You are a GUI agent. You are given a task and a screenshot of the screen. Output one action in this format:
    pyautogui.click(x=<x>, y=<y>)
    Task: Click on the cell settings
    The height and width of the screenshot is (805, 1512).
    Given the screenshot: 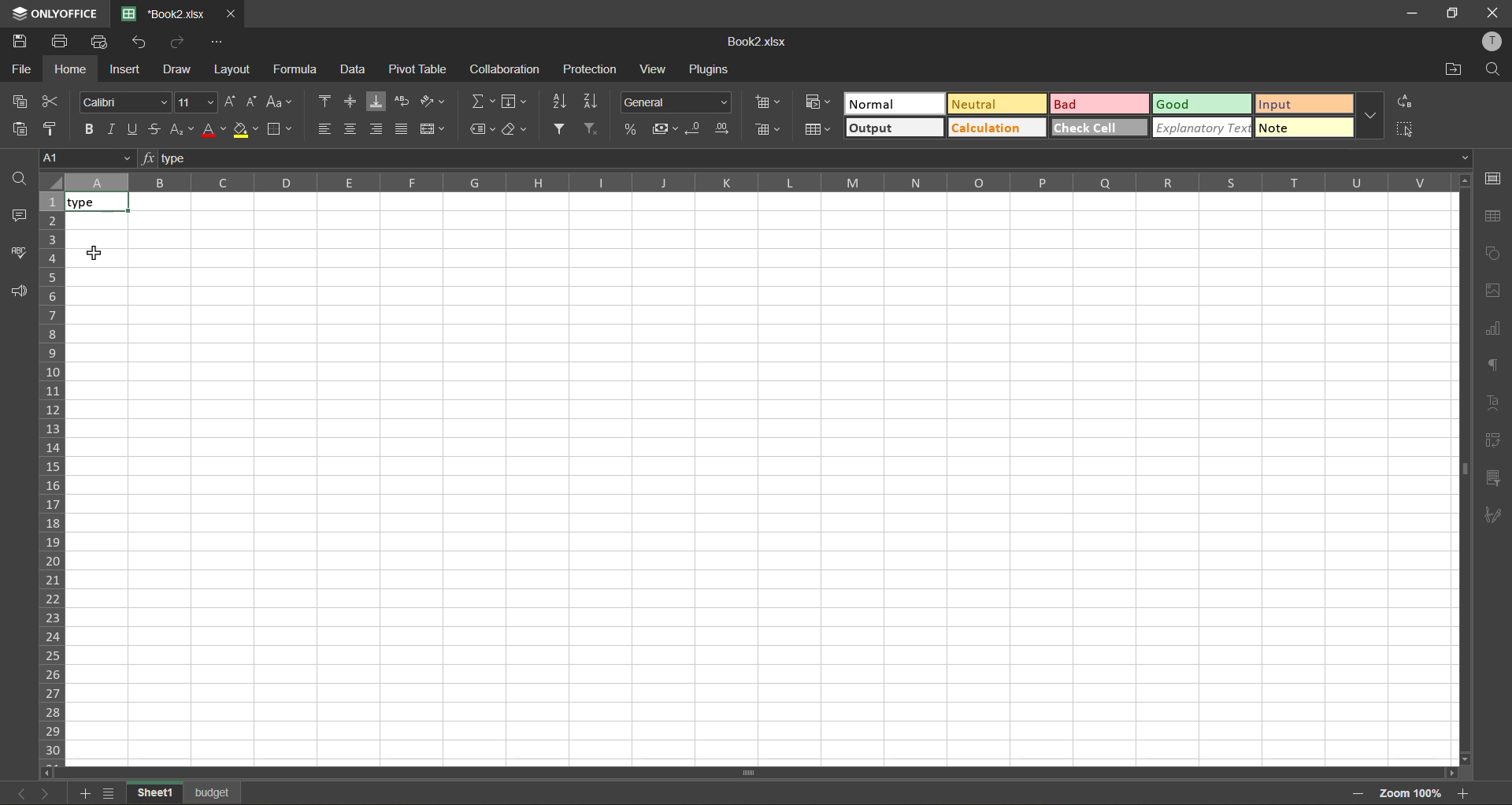 What is the action you would take?
    pyautogui.click(x=1494, y=178)
    